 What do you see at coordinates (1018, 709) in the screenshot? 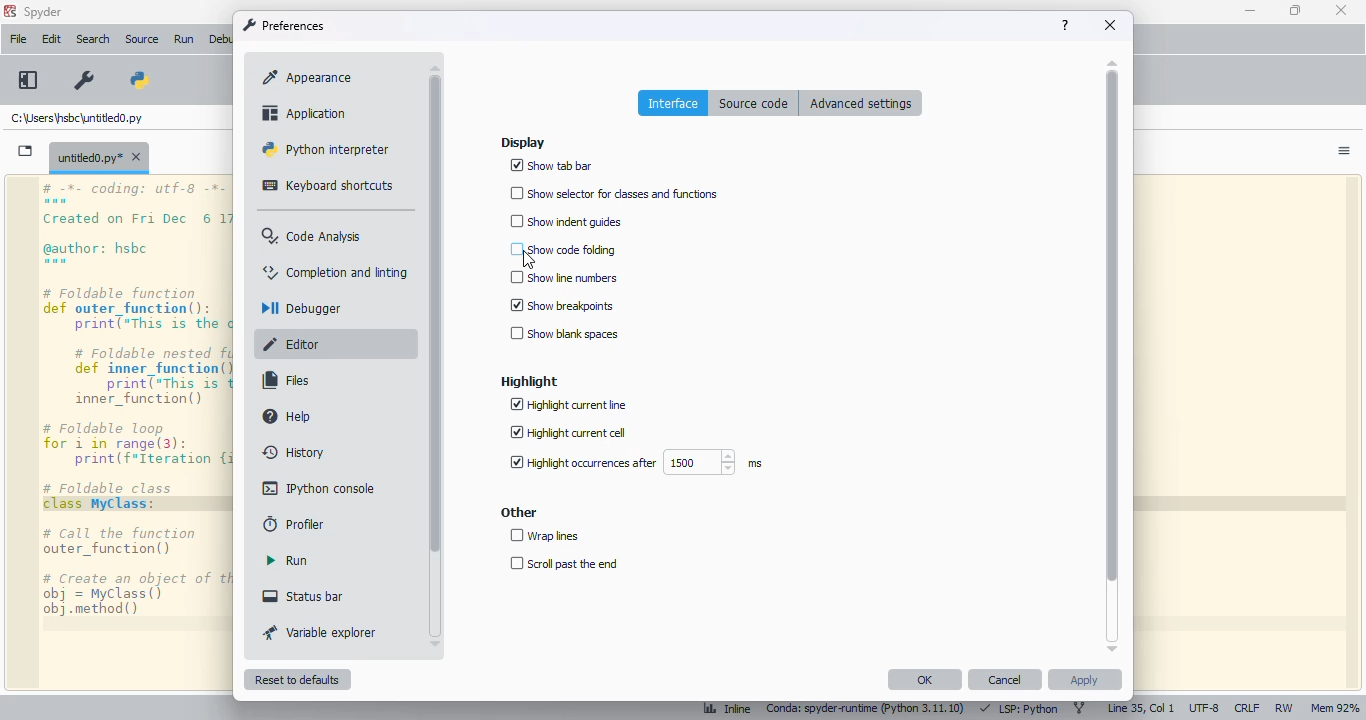
I see `LSP: python` at bounding box center [1018, 709].